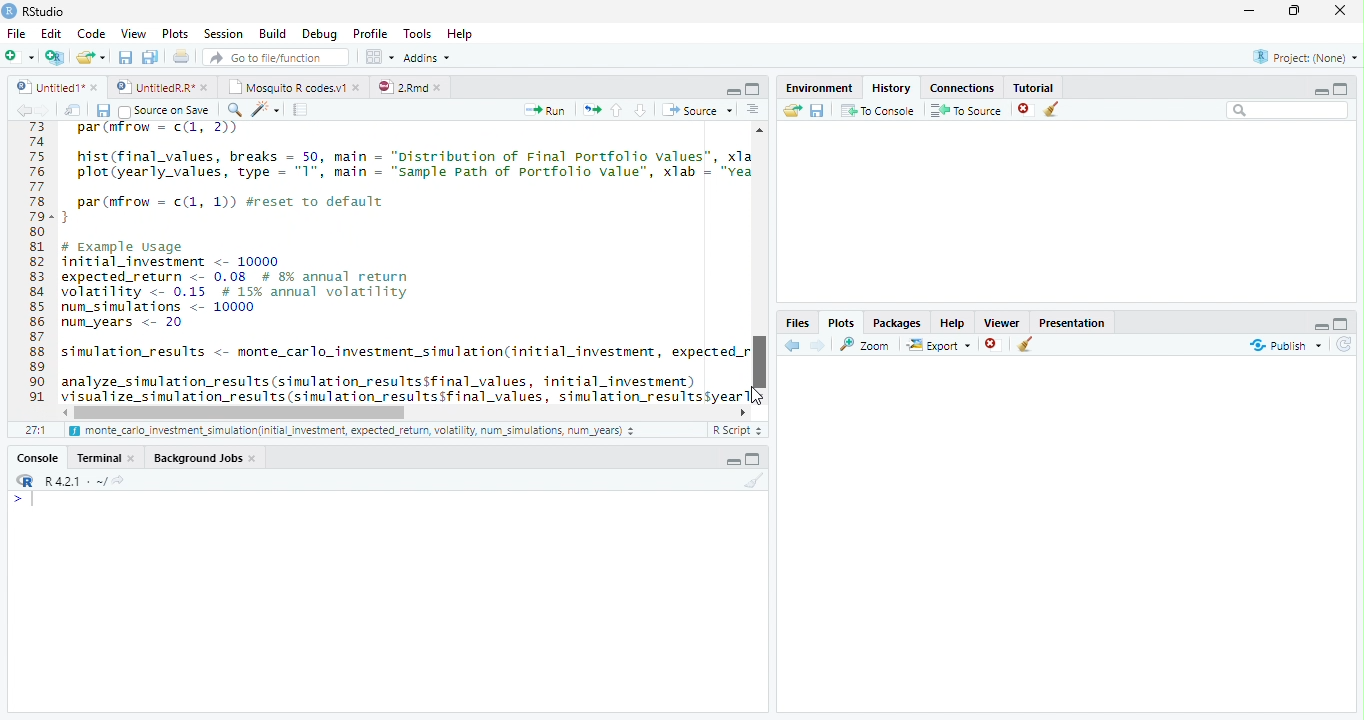 The image size is (1364, 720). What do you see at coordinates (266, 110) in the screenshot?
I see `Code Tools` at bounding box center [266, 110].